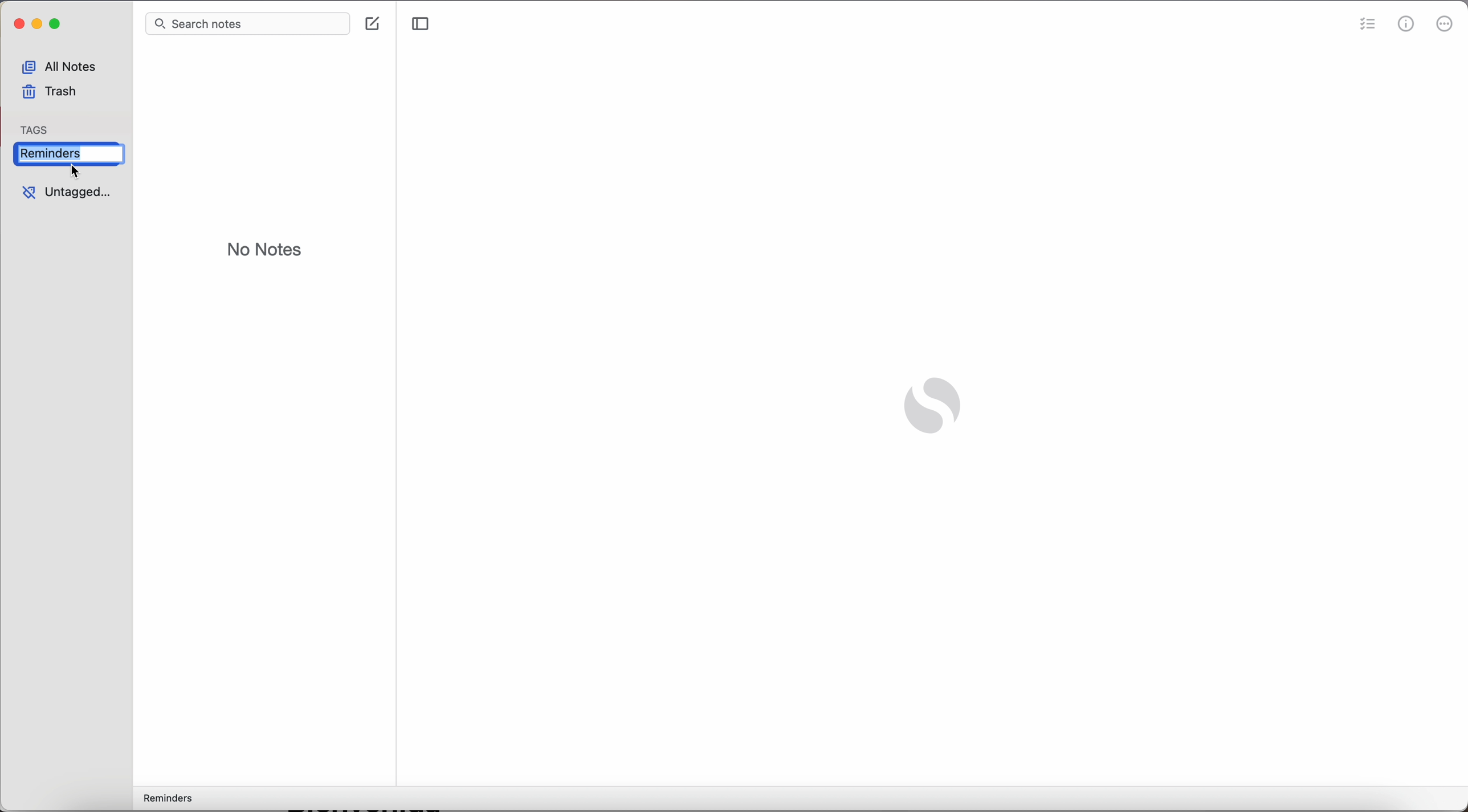  What do you see at coordinates (165, 799) in the screenshot?
I see `reminders tag` at bounding box center [165, 799].